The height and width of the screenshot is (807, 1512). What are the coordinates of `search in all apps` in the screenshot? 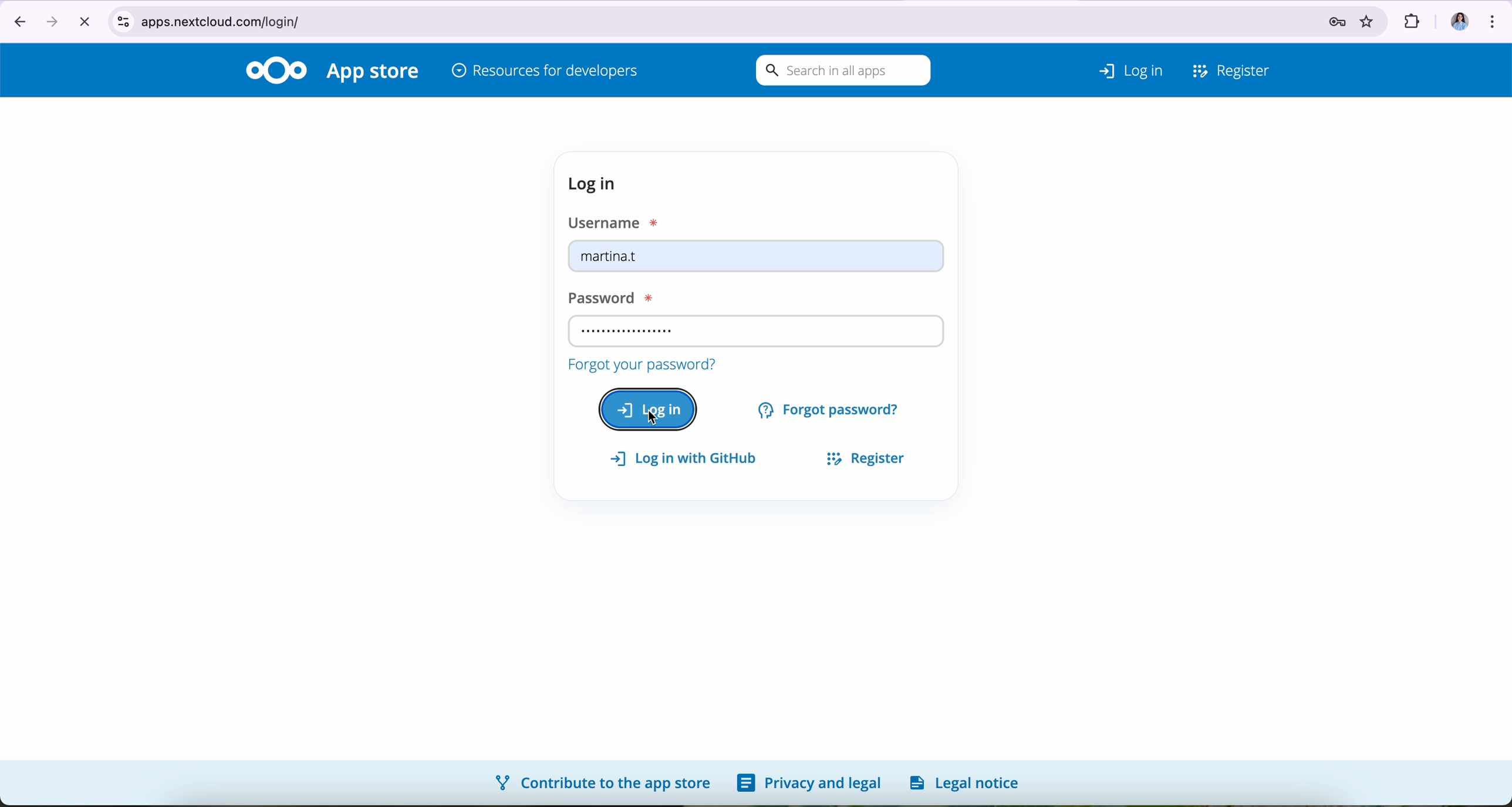 It's located at (840, 71).